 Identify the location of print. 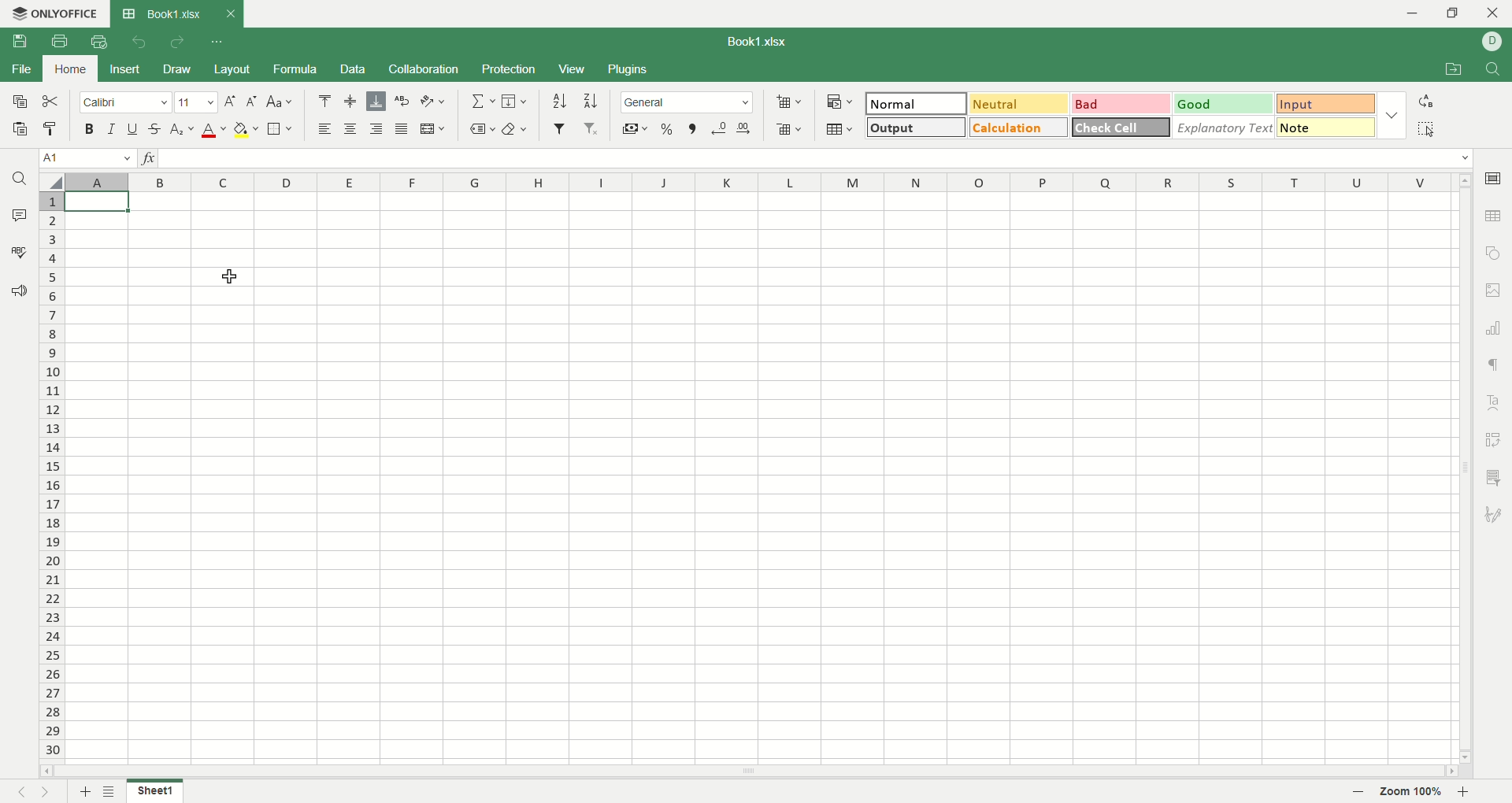
(59, 41).